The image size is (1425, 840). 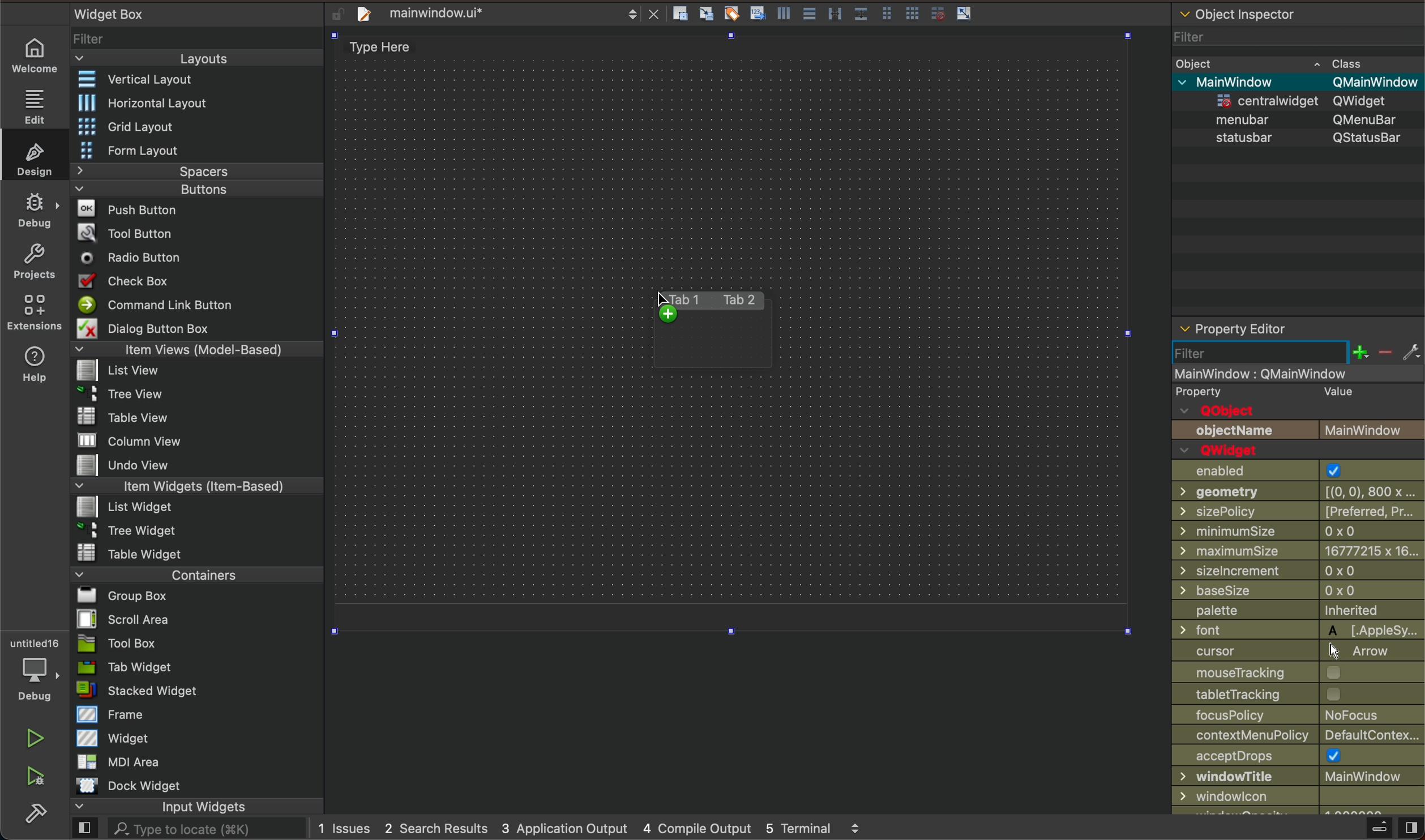 I want to click on  Tree View, so click(x=122, y=392).